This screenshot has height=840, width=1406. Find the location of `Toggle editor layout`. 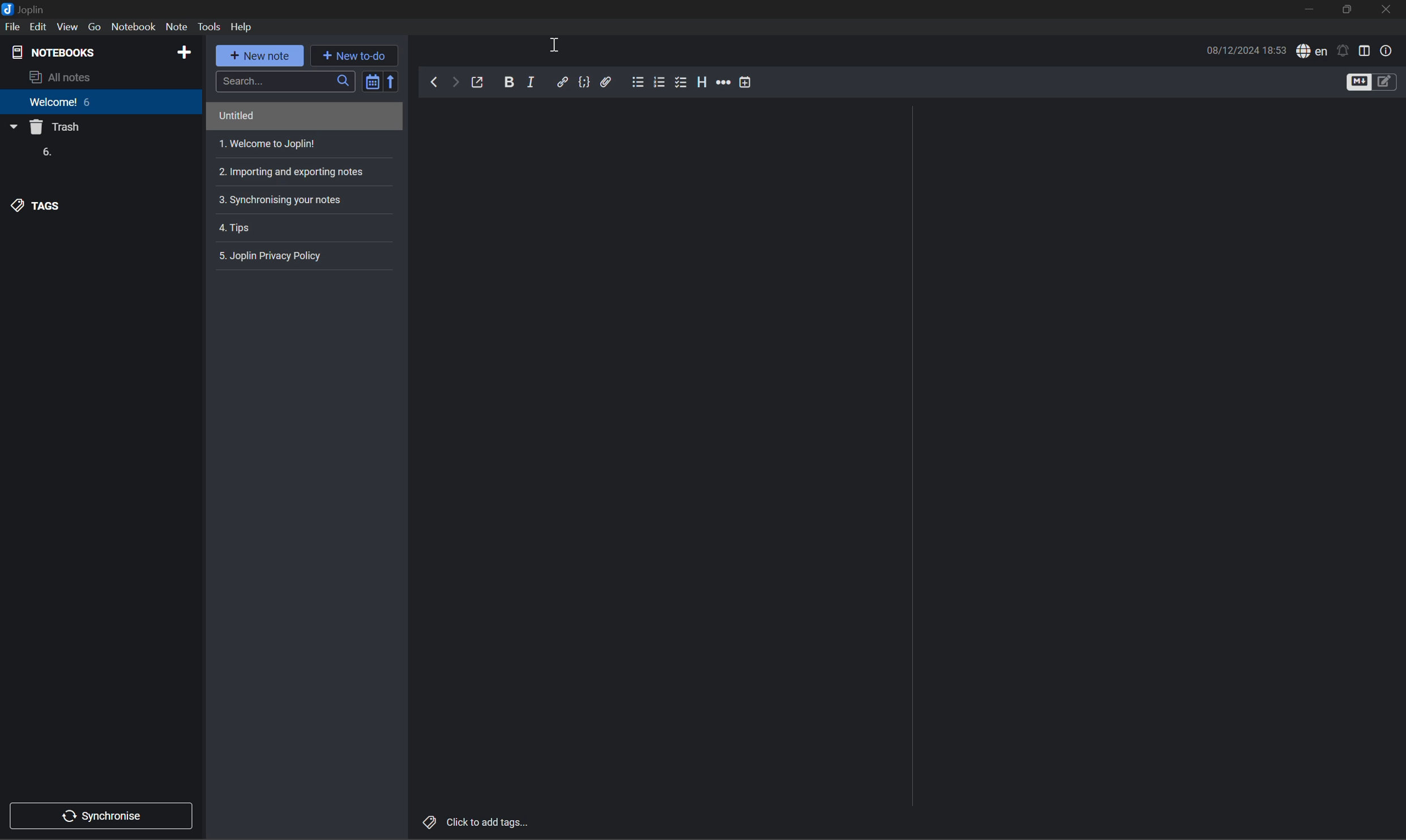

Toggle editor layout is located at coordinates (1365, 49).